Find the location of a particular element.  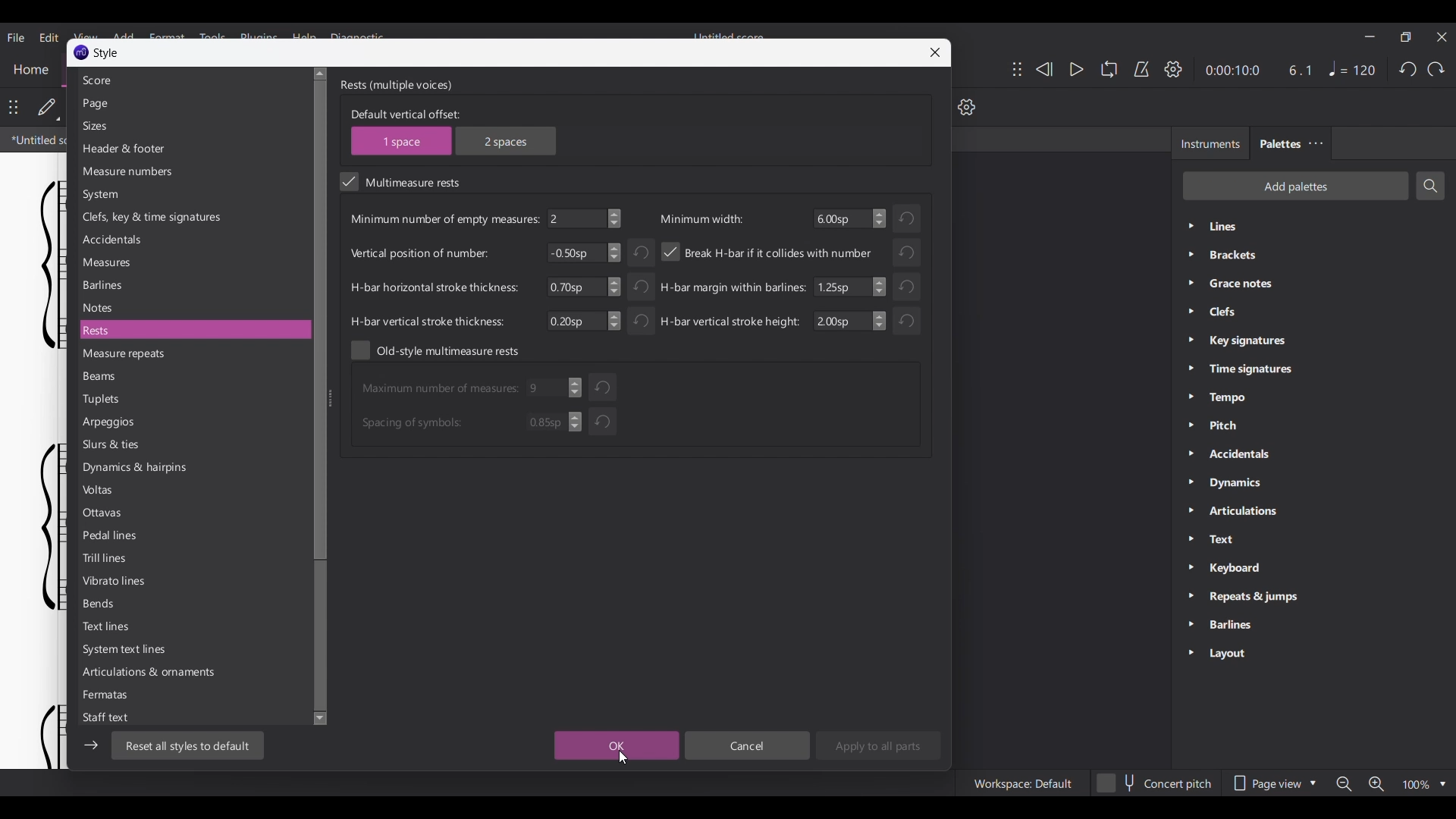

Increase/Decrease respective inputs is located at coordinates (574, 405).